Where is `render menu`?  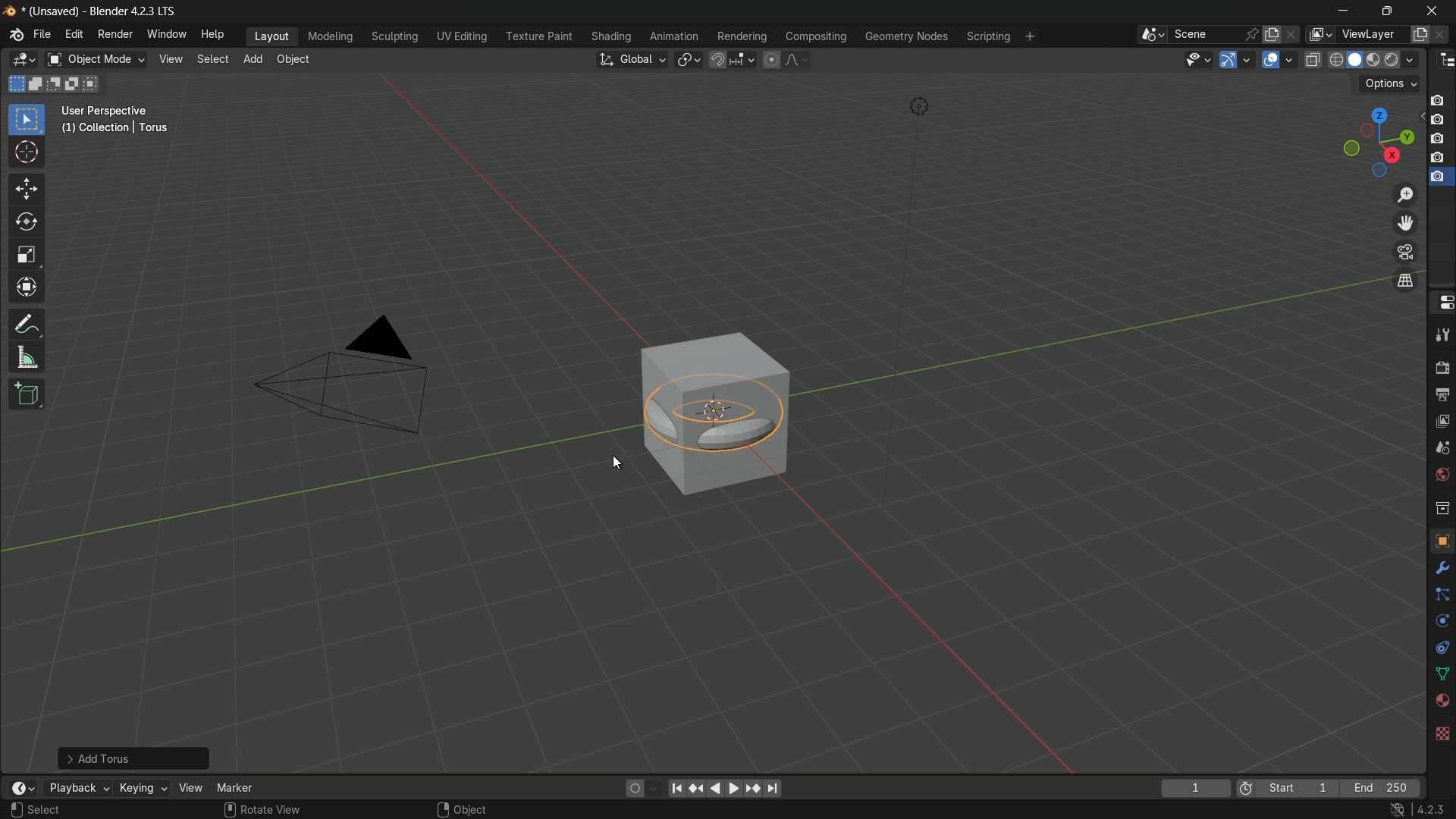
render menu is located at coordinates (115, 34).